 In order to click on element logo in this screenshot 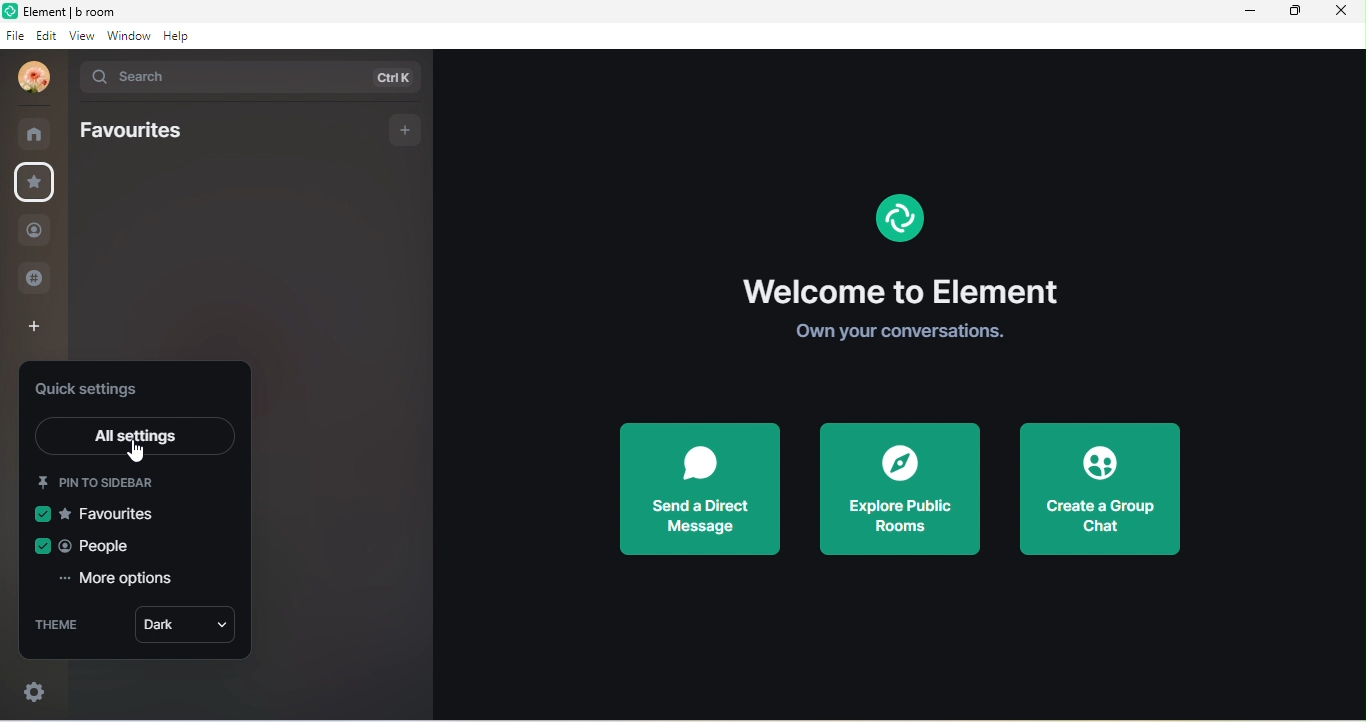, I will do `click(899, 215)`.